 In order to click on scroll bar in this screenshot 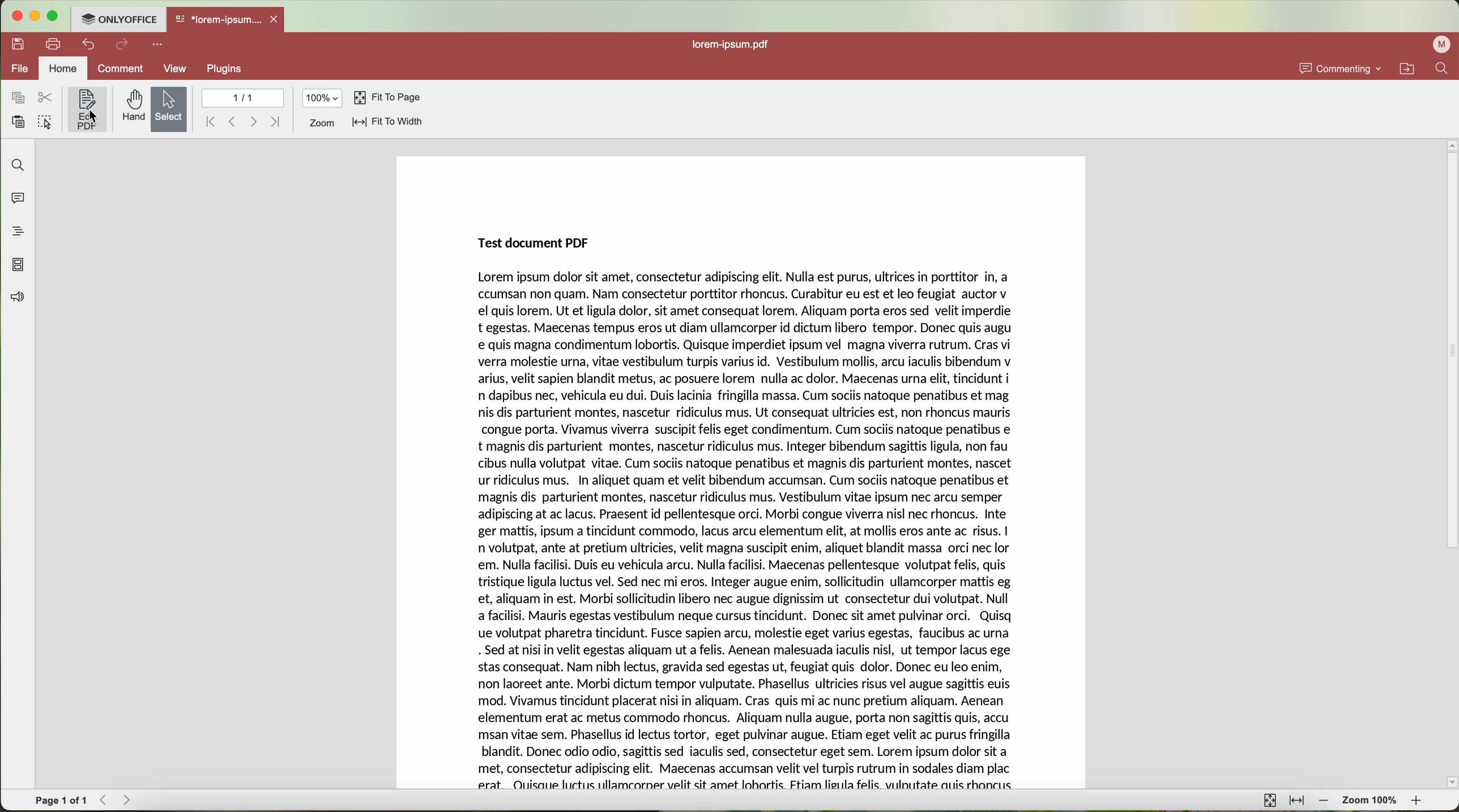, I will do `click(1450, 464)`.